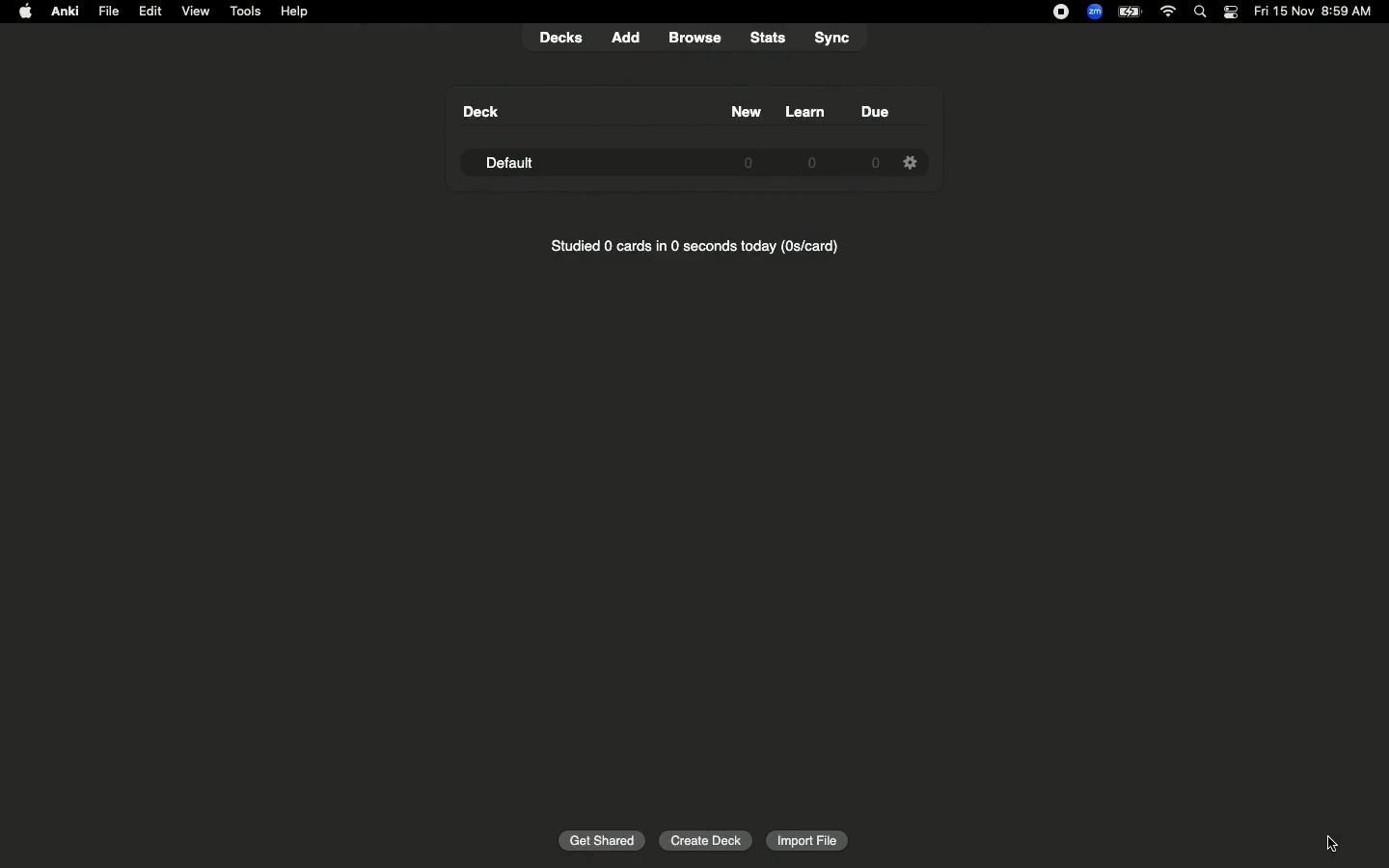  What do you see at coordinates (803, 110) in the screenshot?
I see `Learn` at bounding box center [803, 110].